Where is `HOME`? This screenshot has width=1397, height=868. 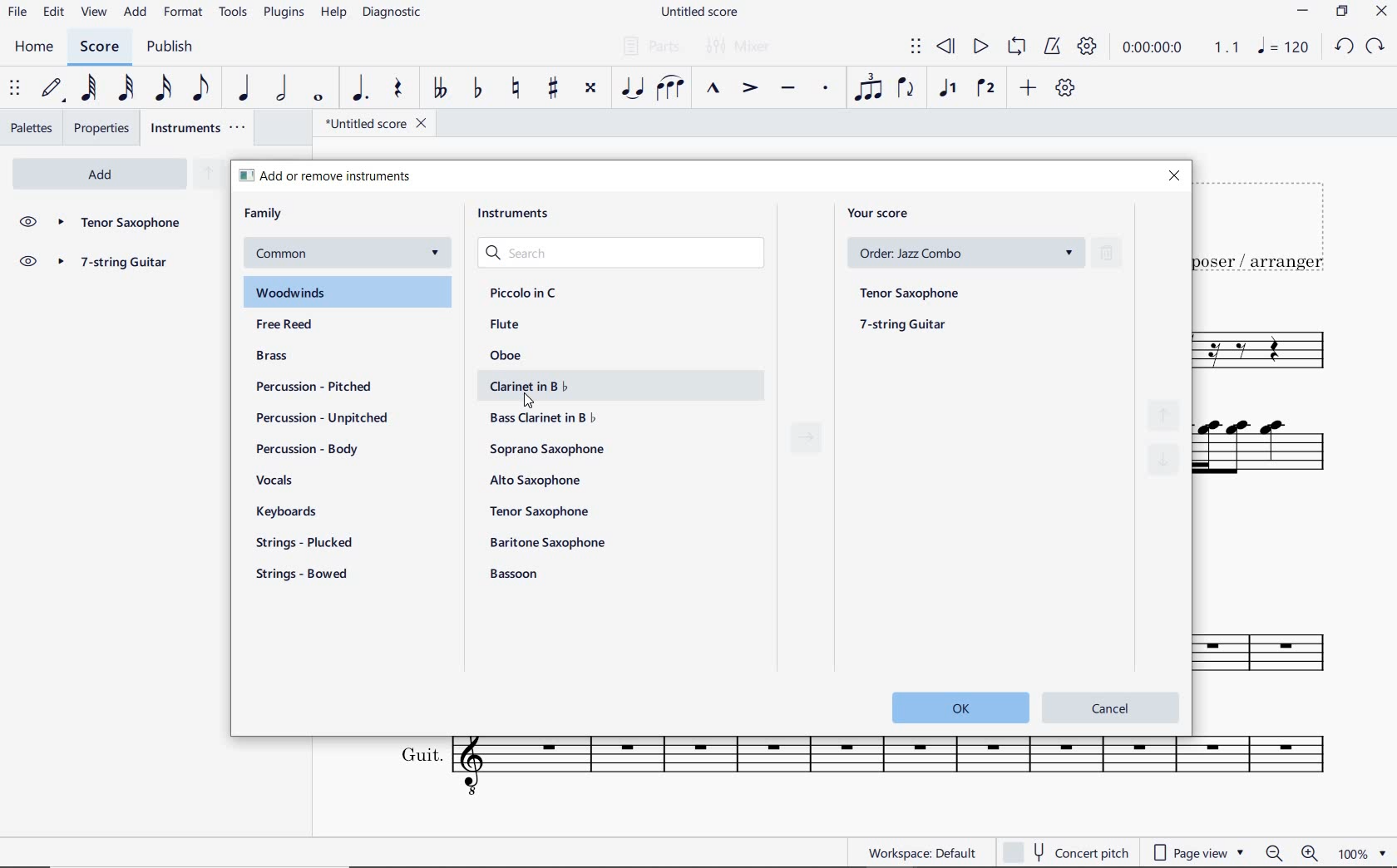 HOME is located at coordinates (35, 48).